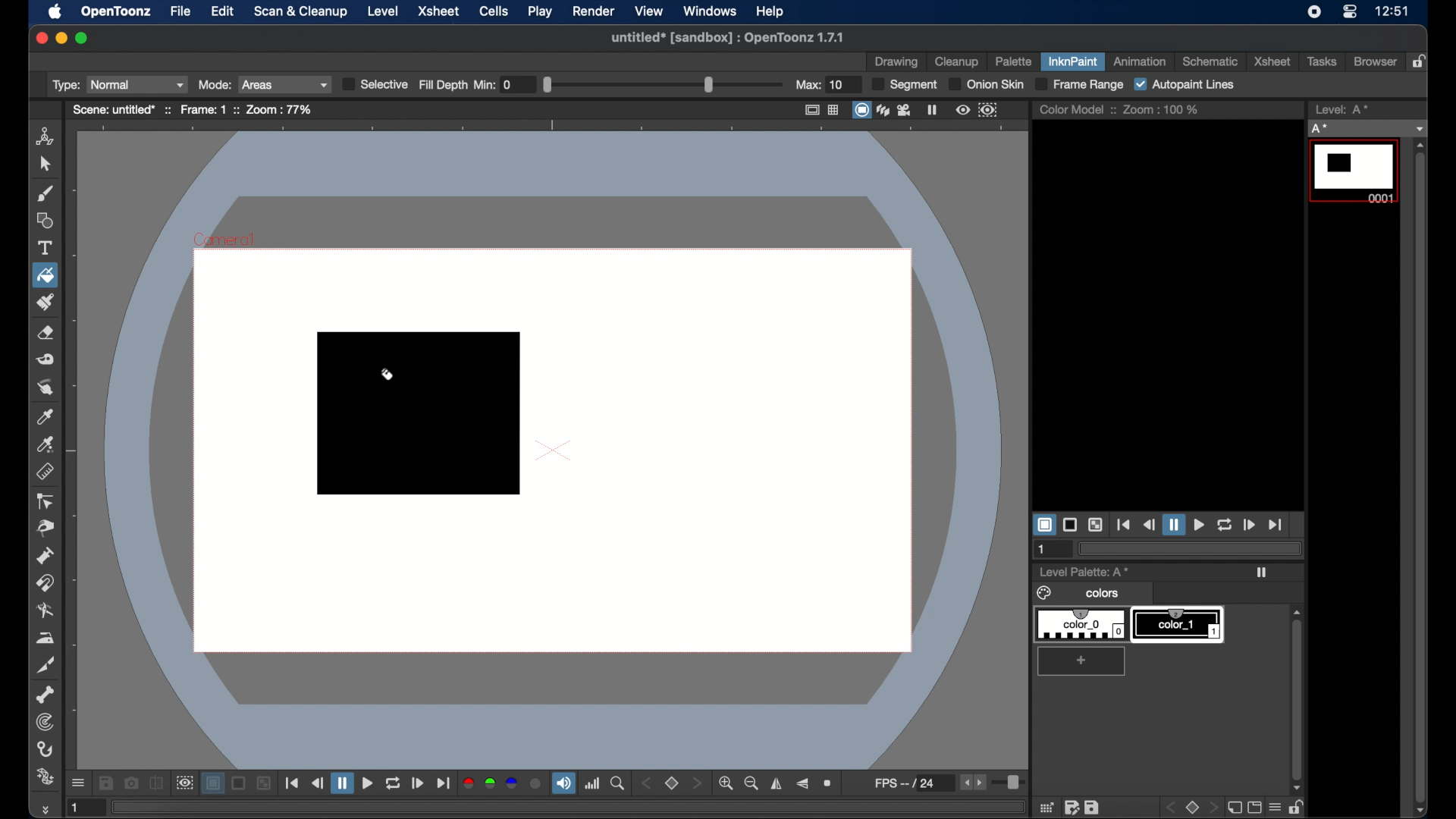 The width and height of the screenshot is (1456, 819). I want to click on scan and cleanup, so click(302, 11).